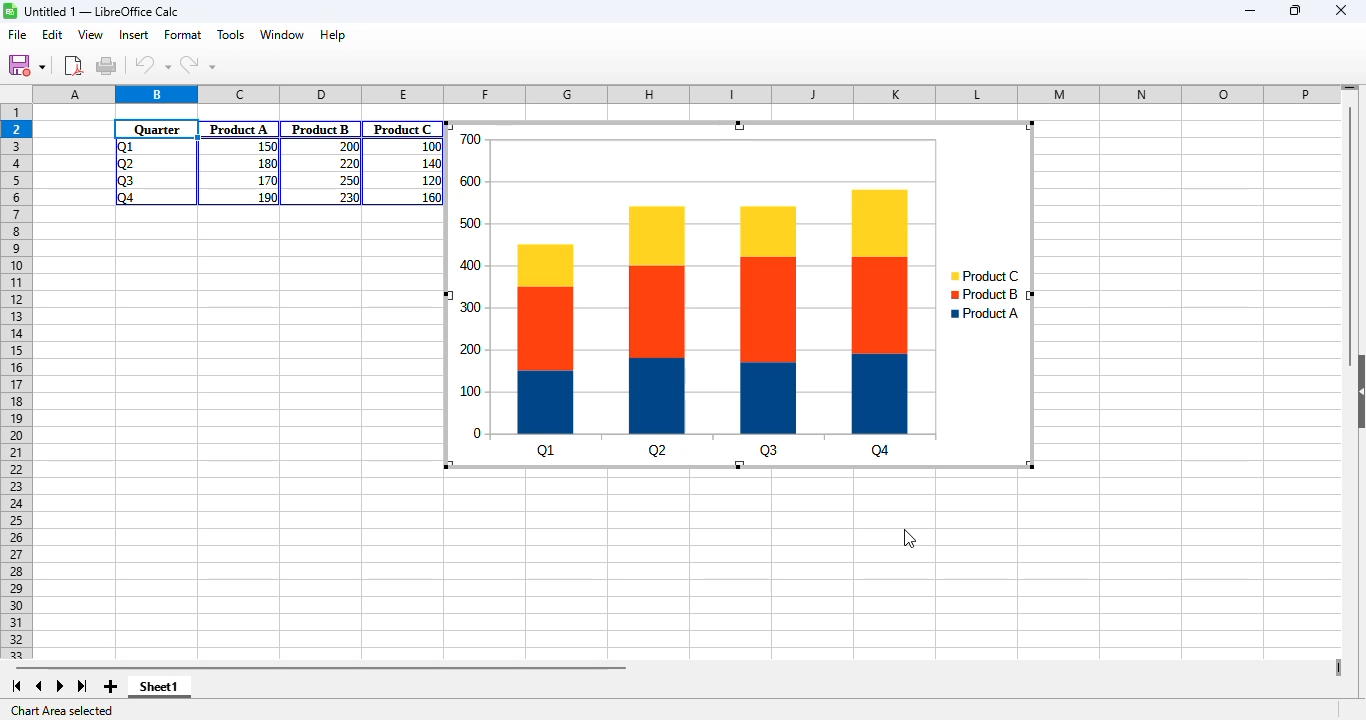 The height and width of the screenshot is (720, 1366). Describe the element at coordinates (183, 34) in the screenshot. I see `format` at that location.